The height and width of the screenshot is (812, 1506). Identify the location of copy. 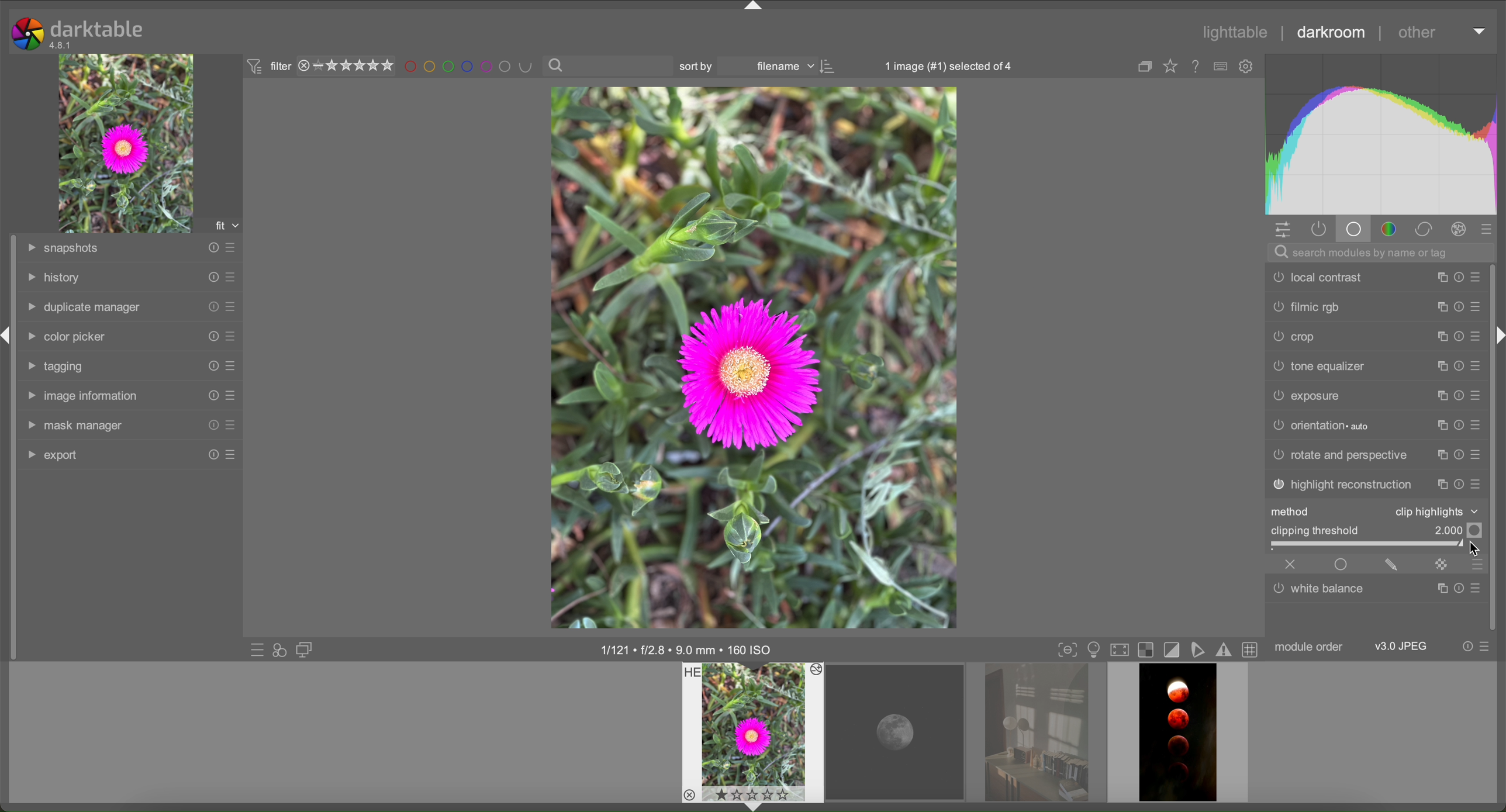
(1441, 589).